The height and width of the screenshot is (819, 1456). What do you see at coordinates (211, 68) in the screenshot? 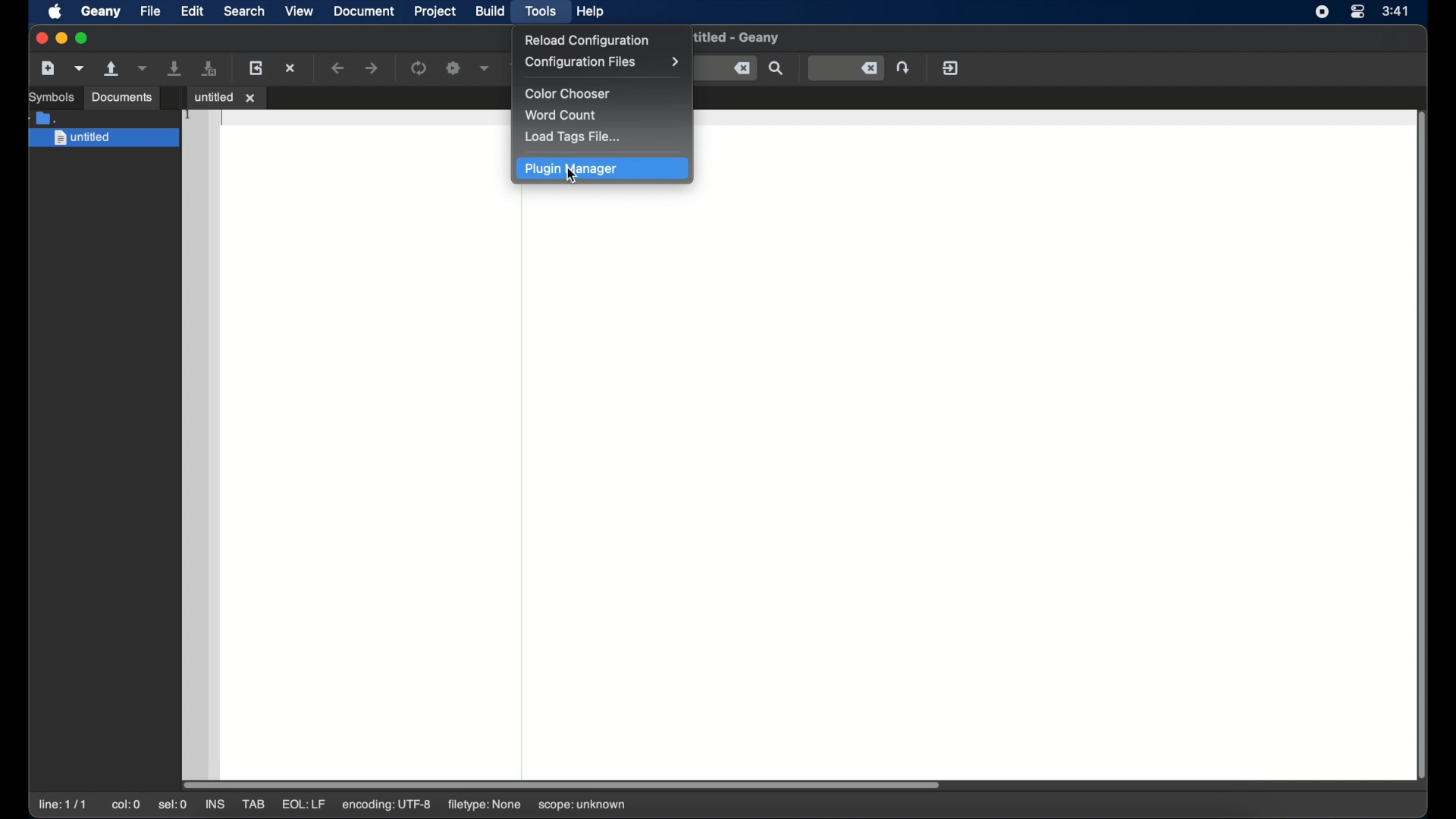
I see `save all open files` at bounding box center [211, 68].